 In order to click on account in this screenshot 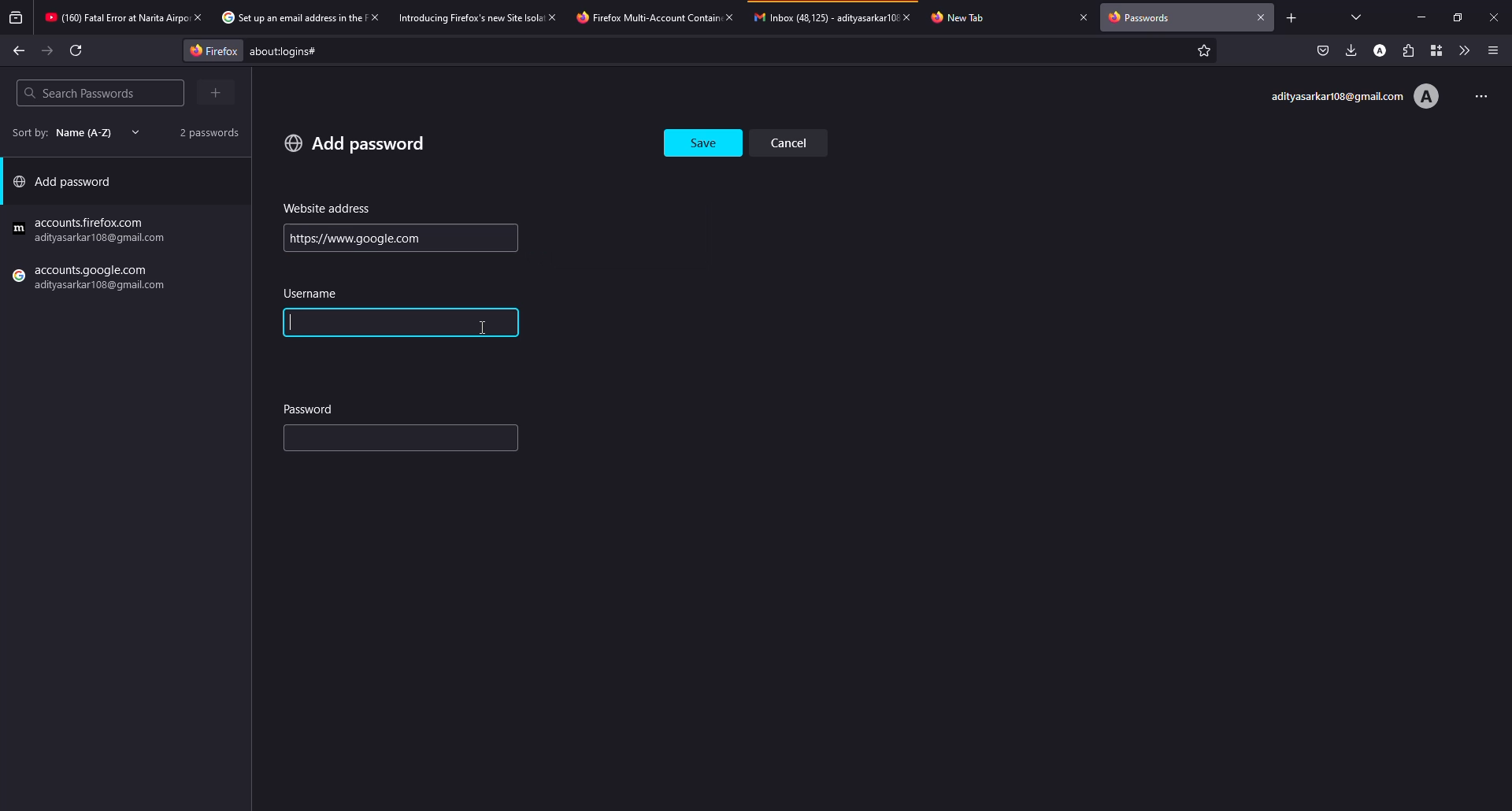, I will do `click(1354, 97)`.